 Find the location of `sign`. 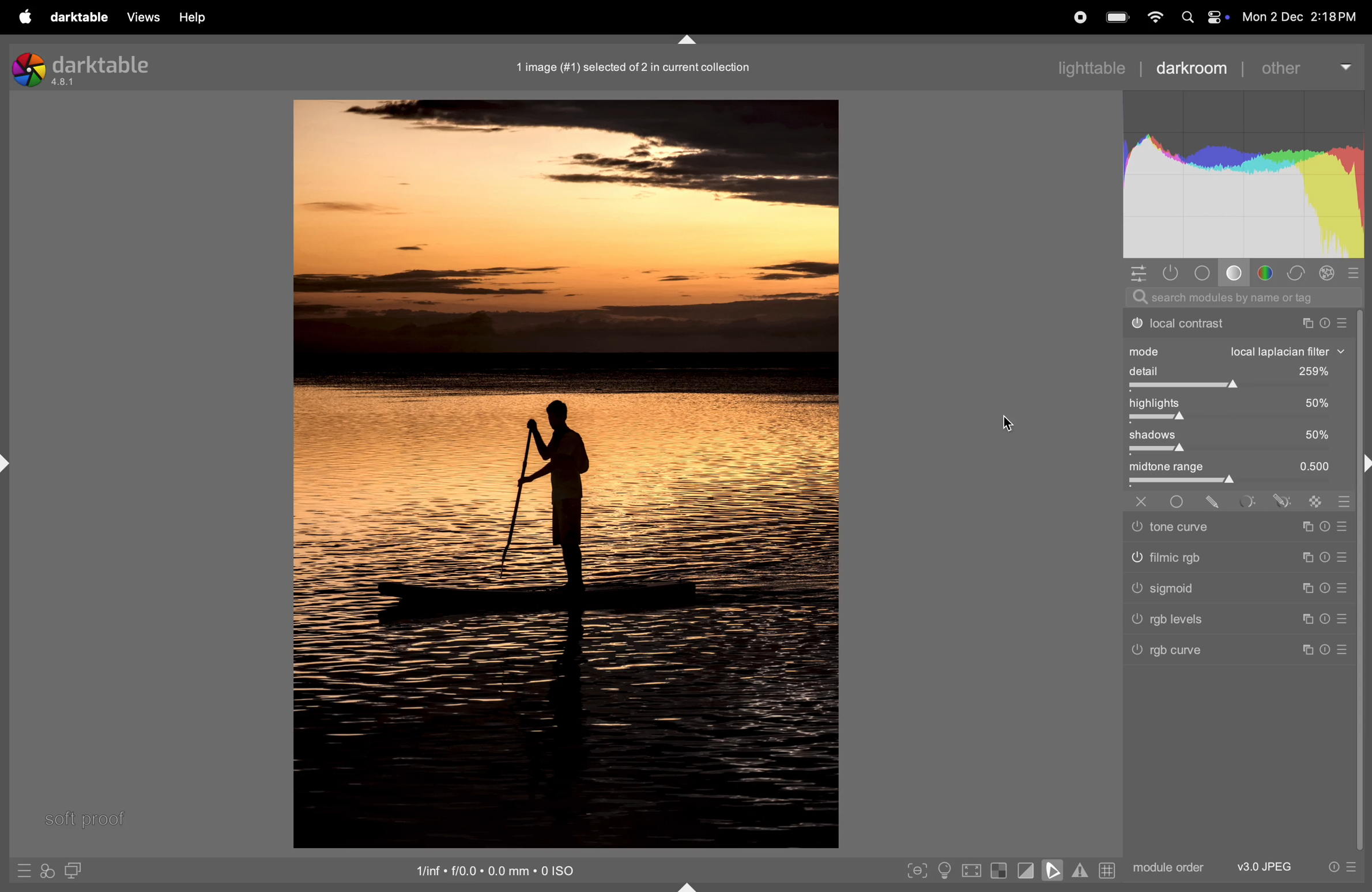

sign is located at coordinates (1314, 504).